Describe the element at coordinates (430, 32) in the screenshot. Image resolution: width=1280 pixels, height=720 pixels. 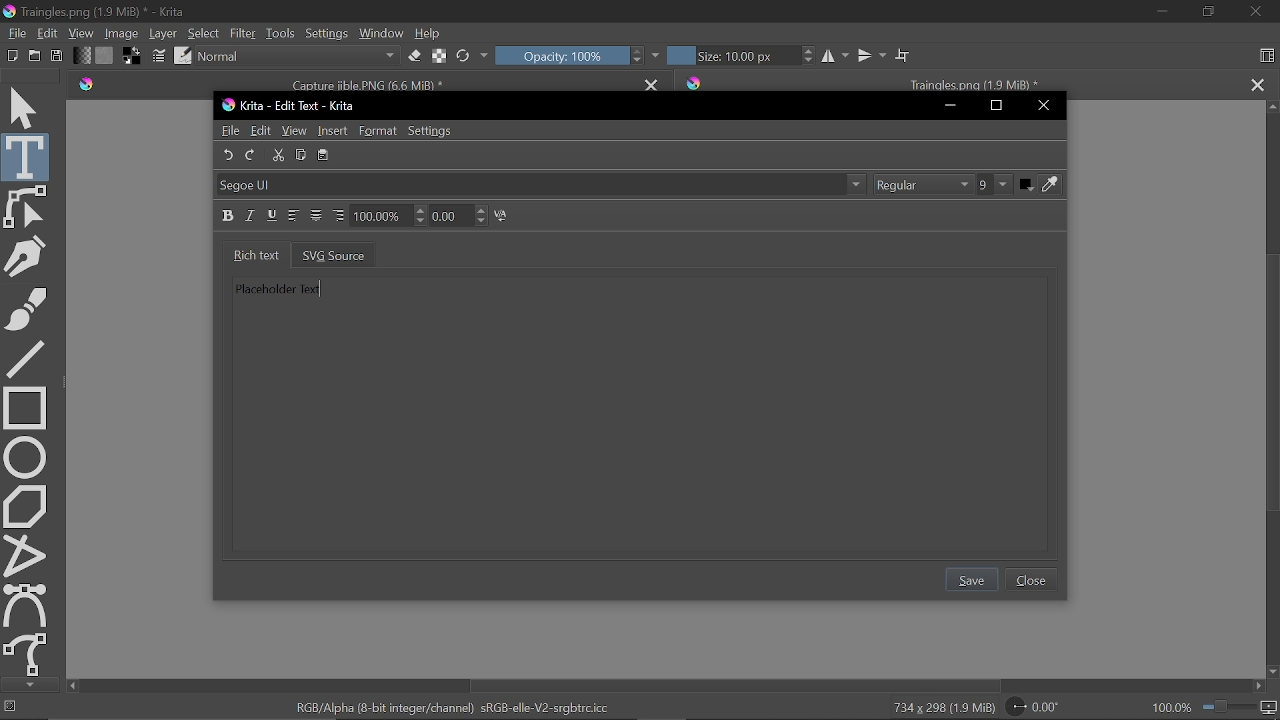
I see `Help` at that location.